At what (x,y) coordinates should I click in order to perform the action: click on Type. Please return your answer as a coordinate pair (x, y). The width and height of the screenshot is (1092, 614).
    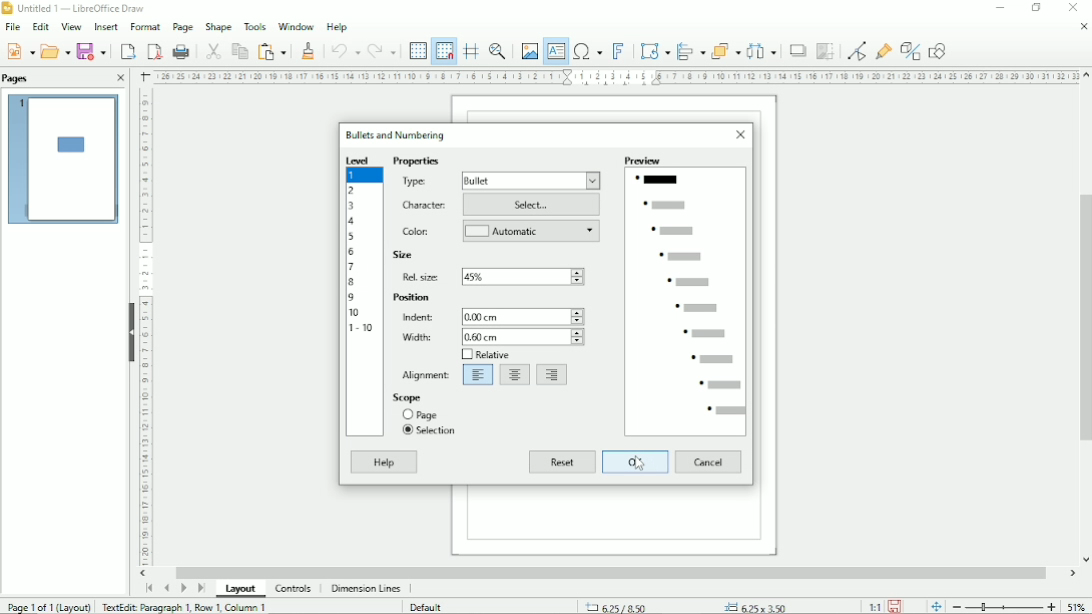
    Looking at the image, I should click on (416, 182).